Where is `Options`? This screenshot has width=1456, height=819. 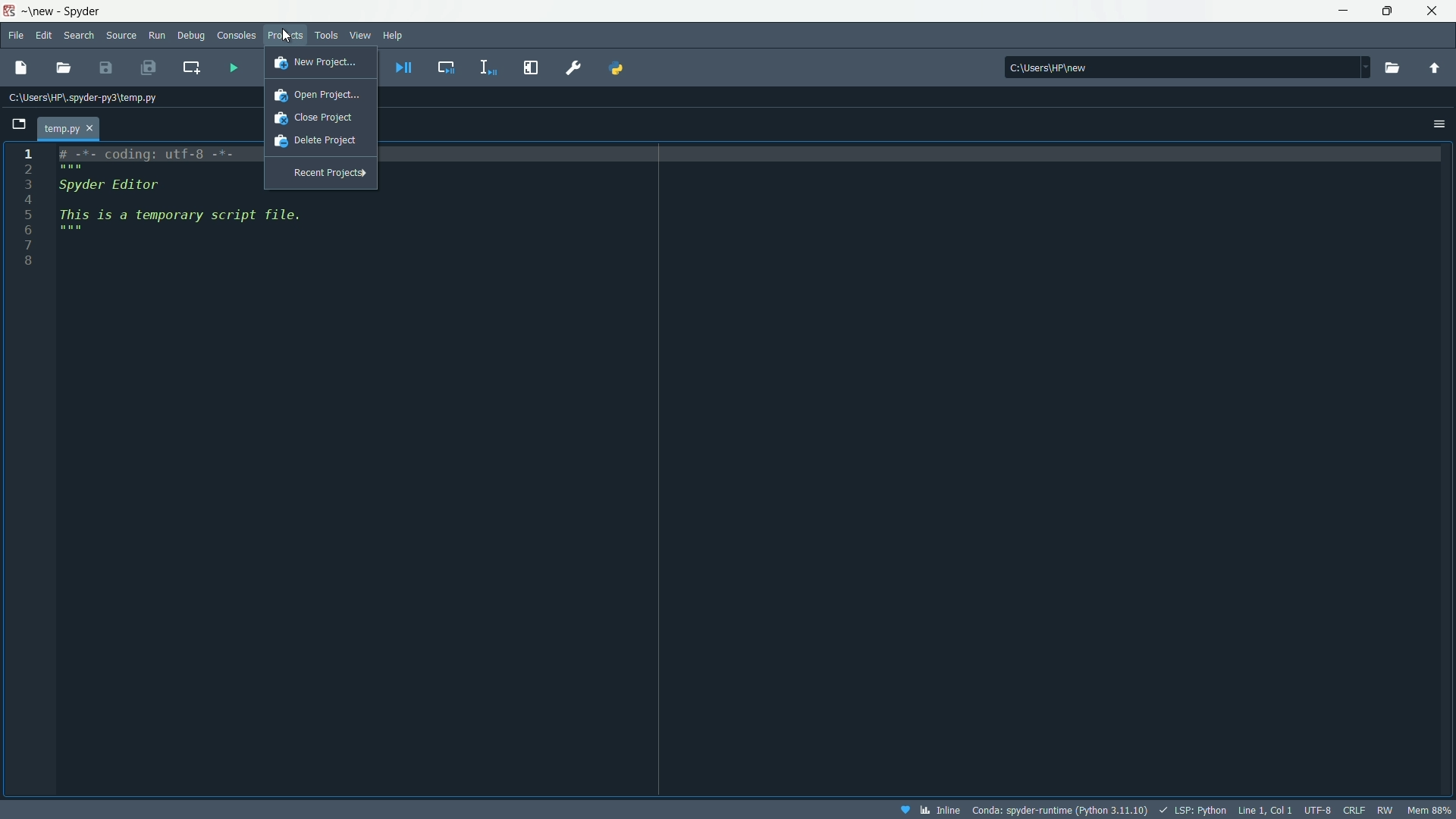 Options is located at coordinates (1434, 120).